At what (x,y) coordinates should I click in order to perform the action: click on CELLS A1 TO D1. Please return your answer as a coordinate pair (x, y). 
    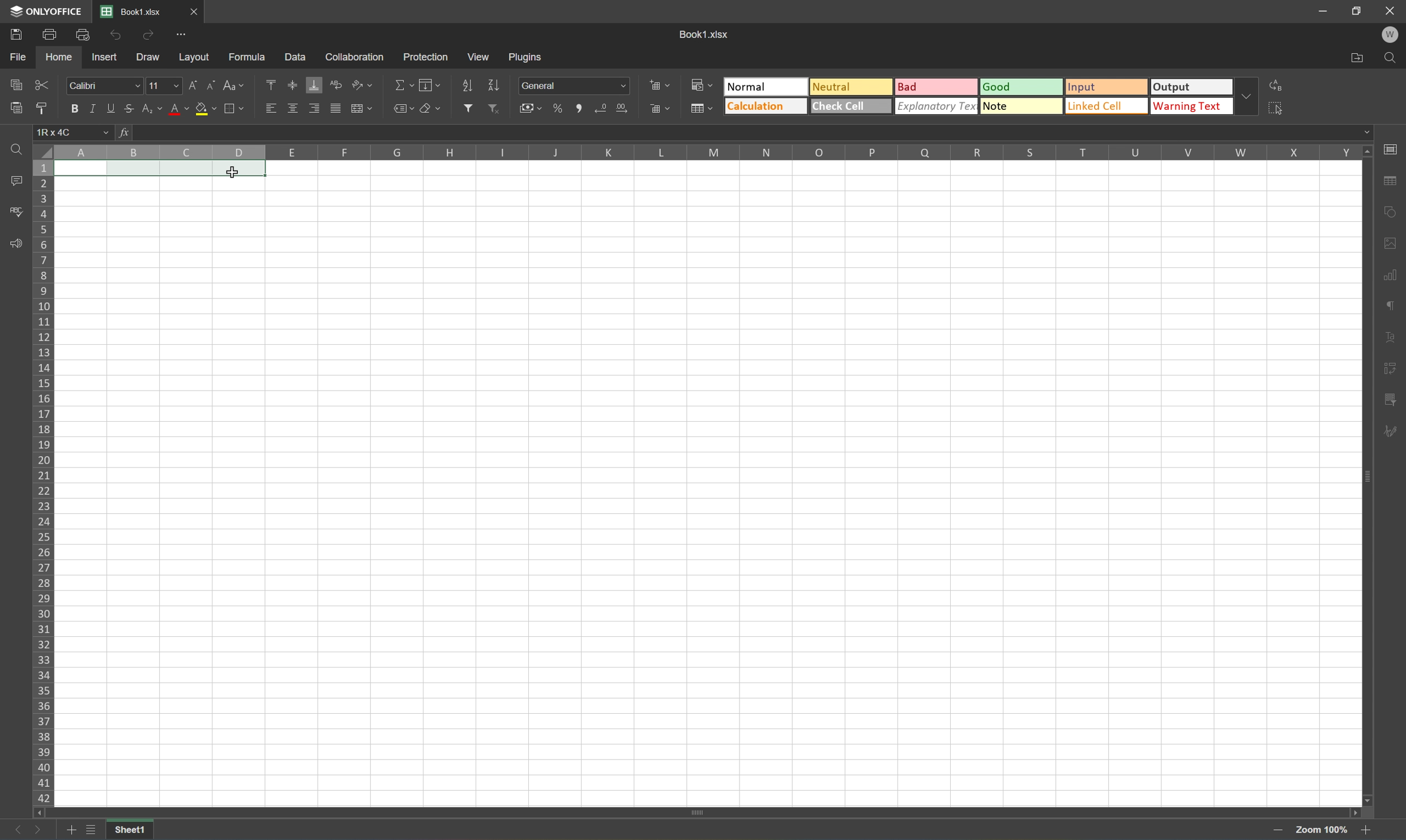
    Looking at the image, I should click on (161, 170).